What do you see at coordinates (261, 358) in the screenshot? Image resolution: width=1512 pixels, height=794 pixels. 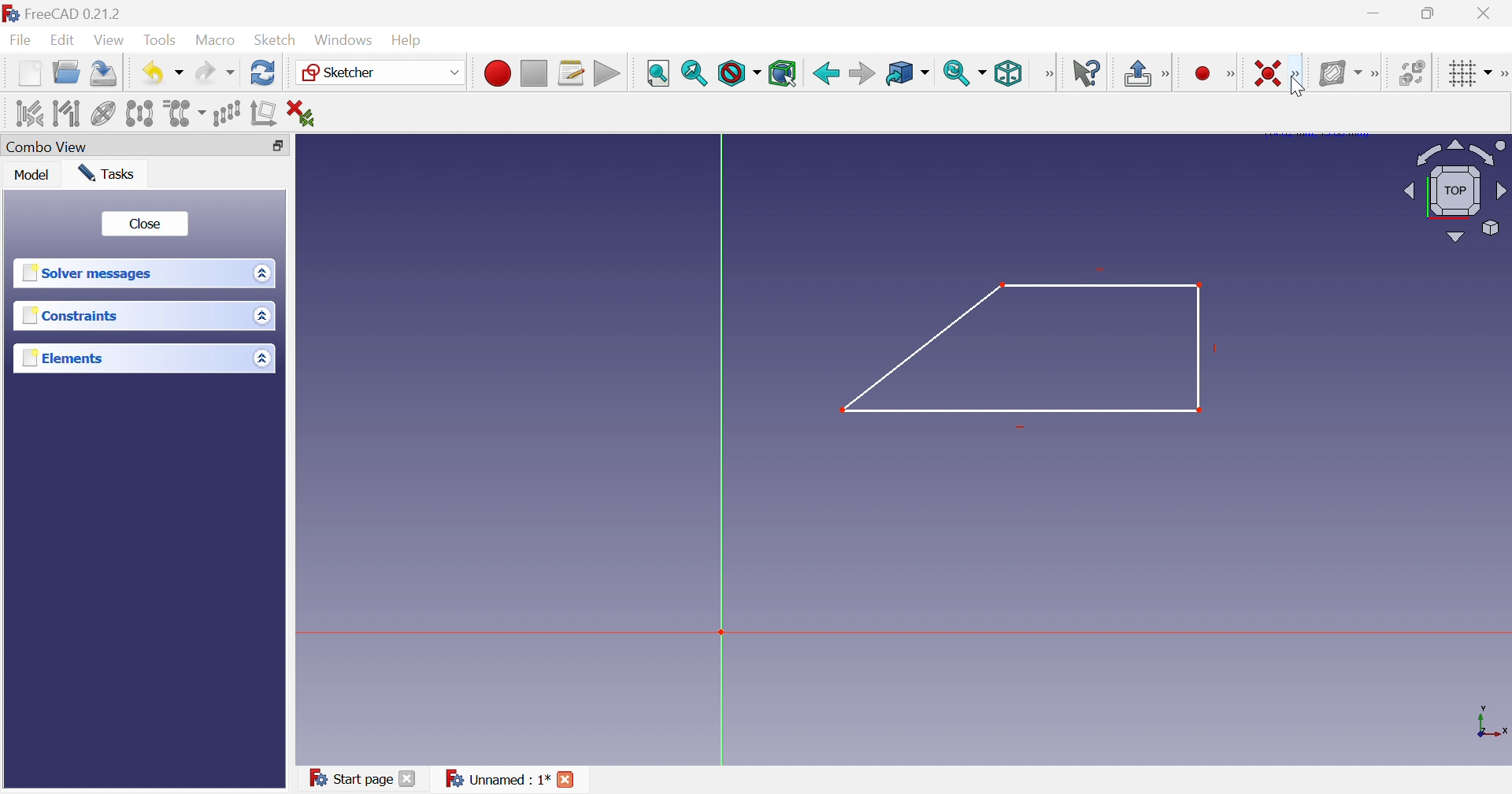 I see `Drop Down` at bounding box center [261, 358].